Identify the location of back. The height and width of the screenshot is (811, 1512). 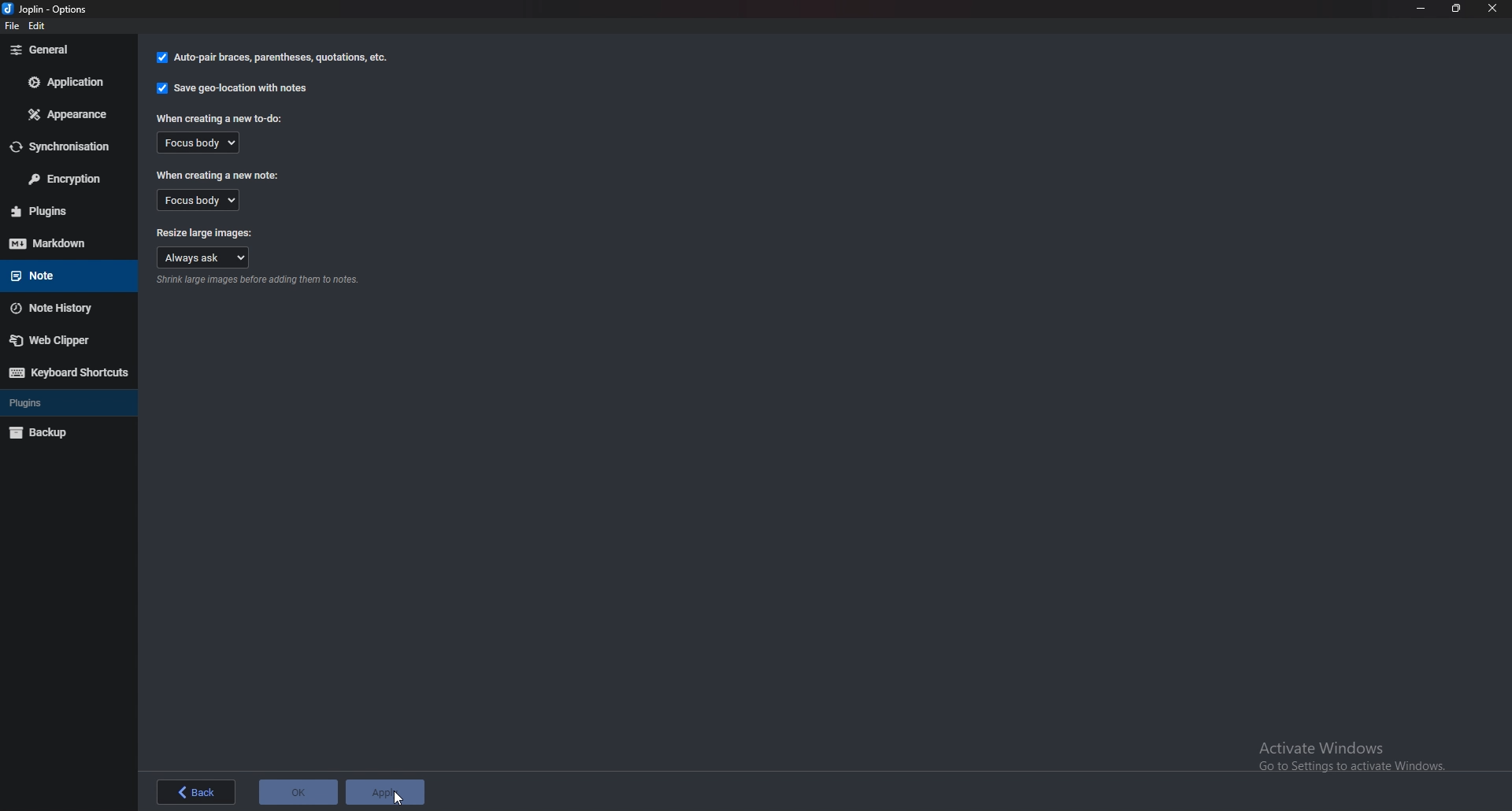
(197, 790).